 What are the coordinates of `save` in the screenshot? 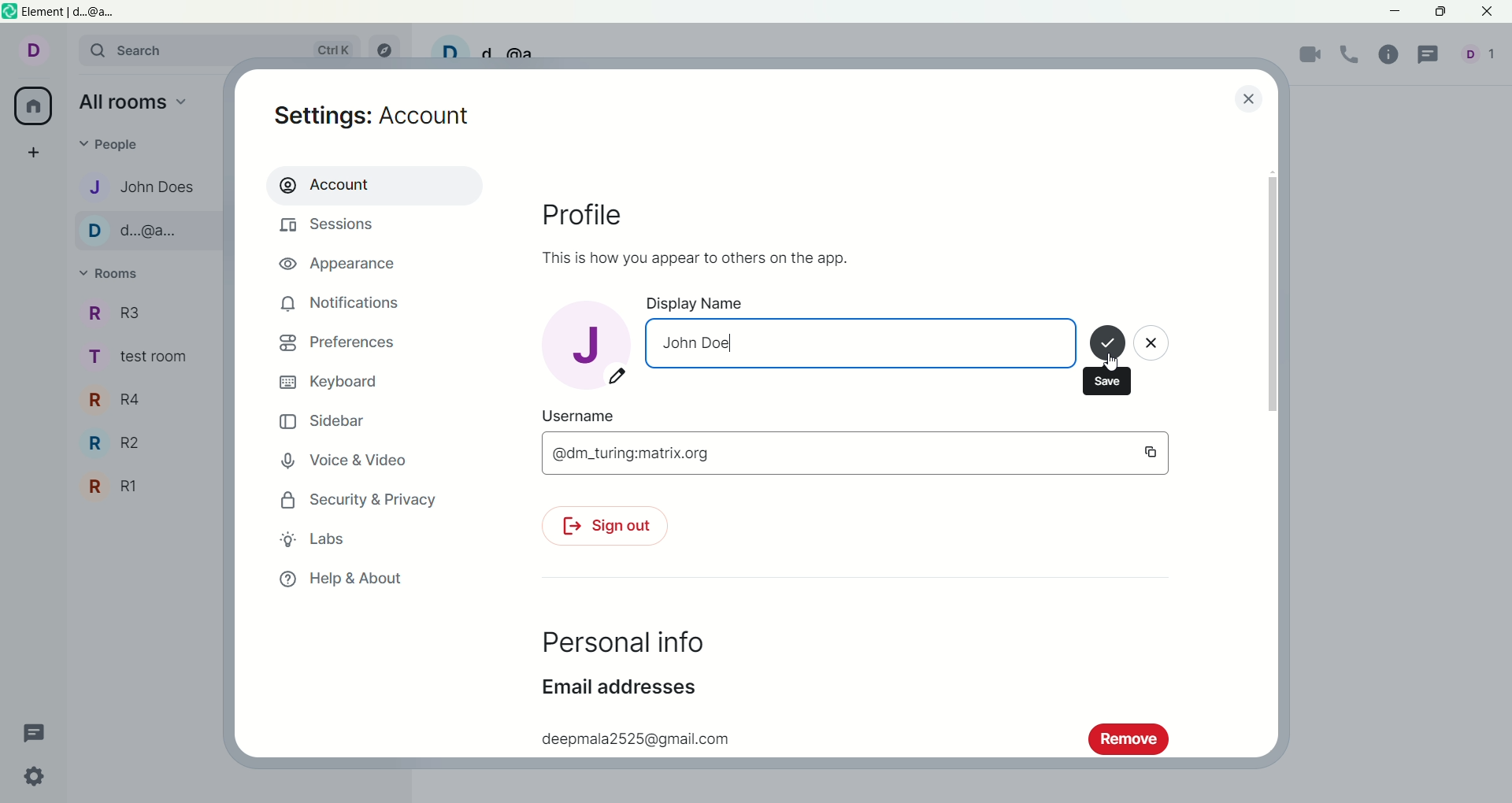 It's located at (1111, 381).